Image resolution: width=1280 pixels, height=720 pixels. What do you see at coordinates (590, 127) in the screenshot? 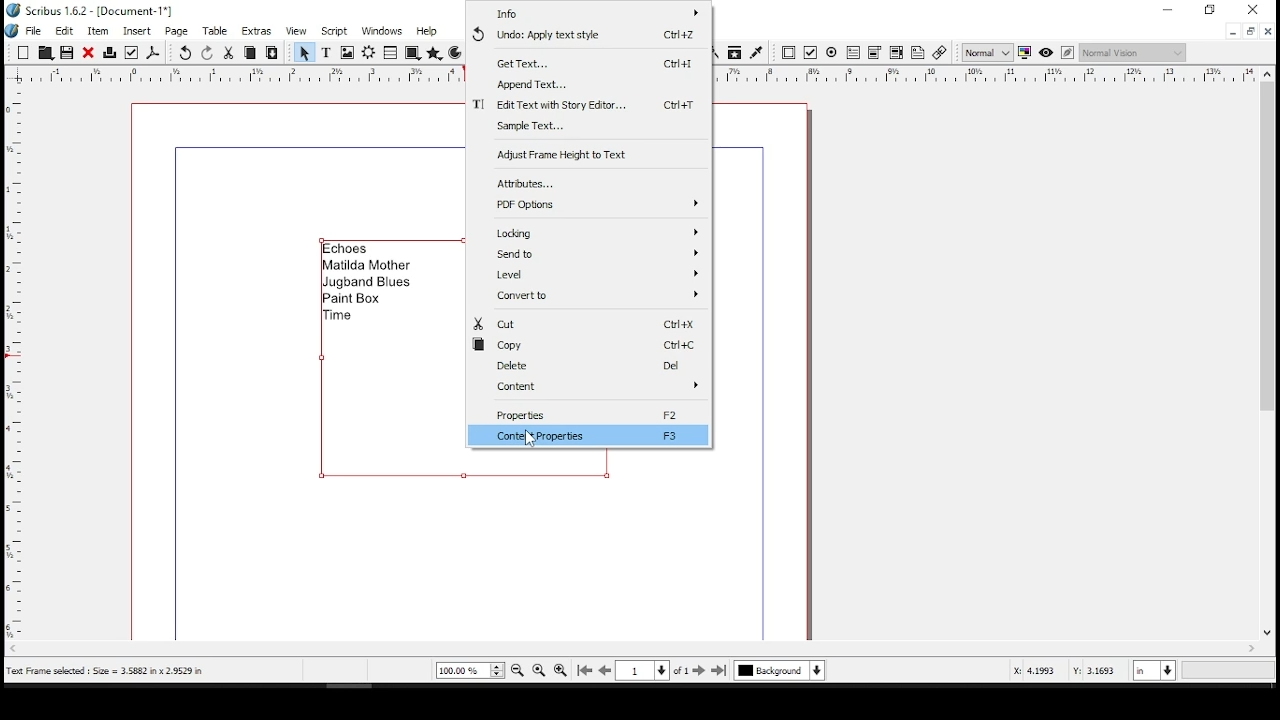
I see `sample text` at bounding box center [590, 127].